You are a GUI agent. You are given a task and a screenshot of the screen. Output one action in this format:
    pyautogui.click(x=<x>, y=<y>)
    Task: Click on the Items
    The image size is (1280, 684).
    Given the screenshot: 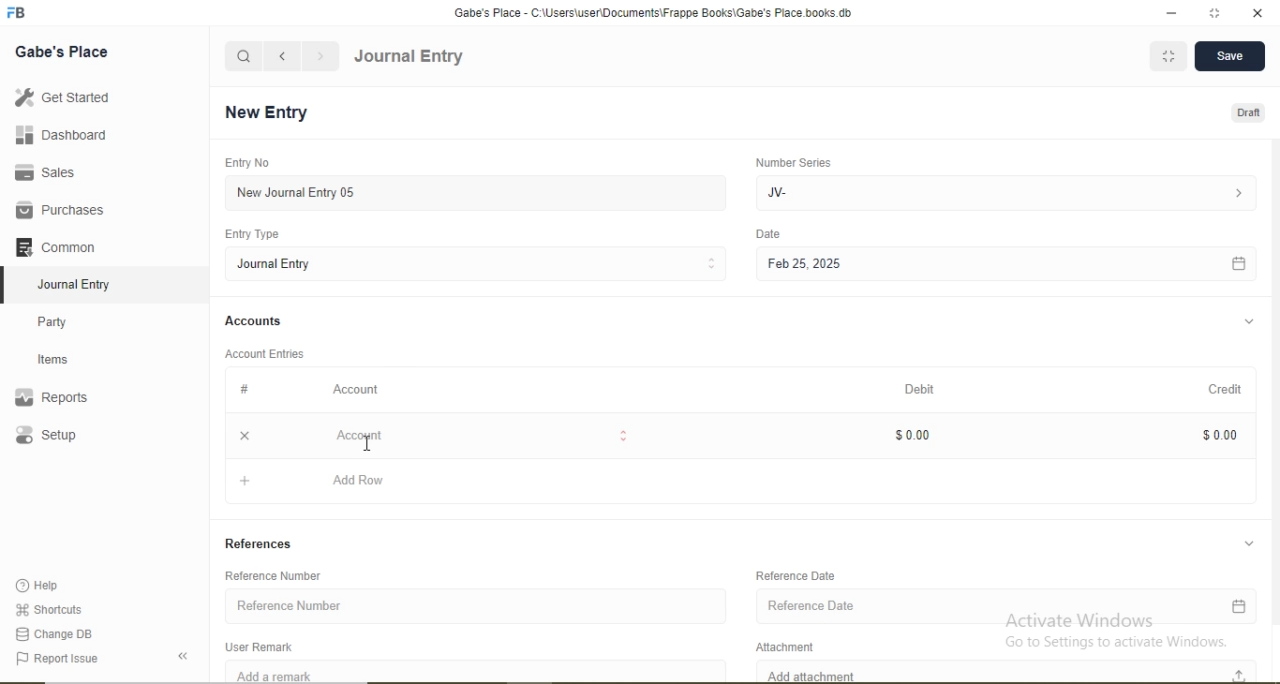 What is the action you would take?
    pyautogui.click(x=65, y=359)
    